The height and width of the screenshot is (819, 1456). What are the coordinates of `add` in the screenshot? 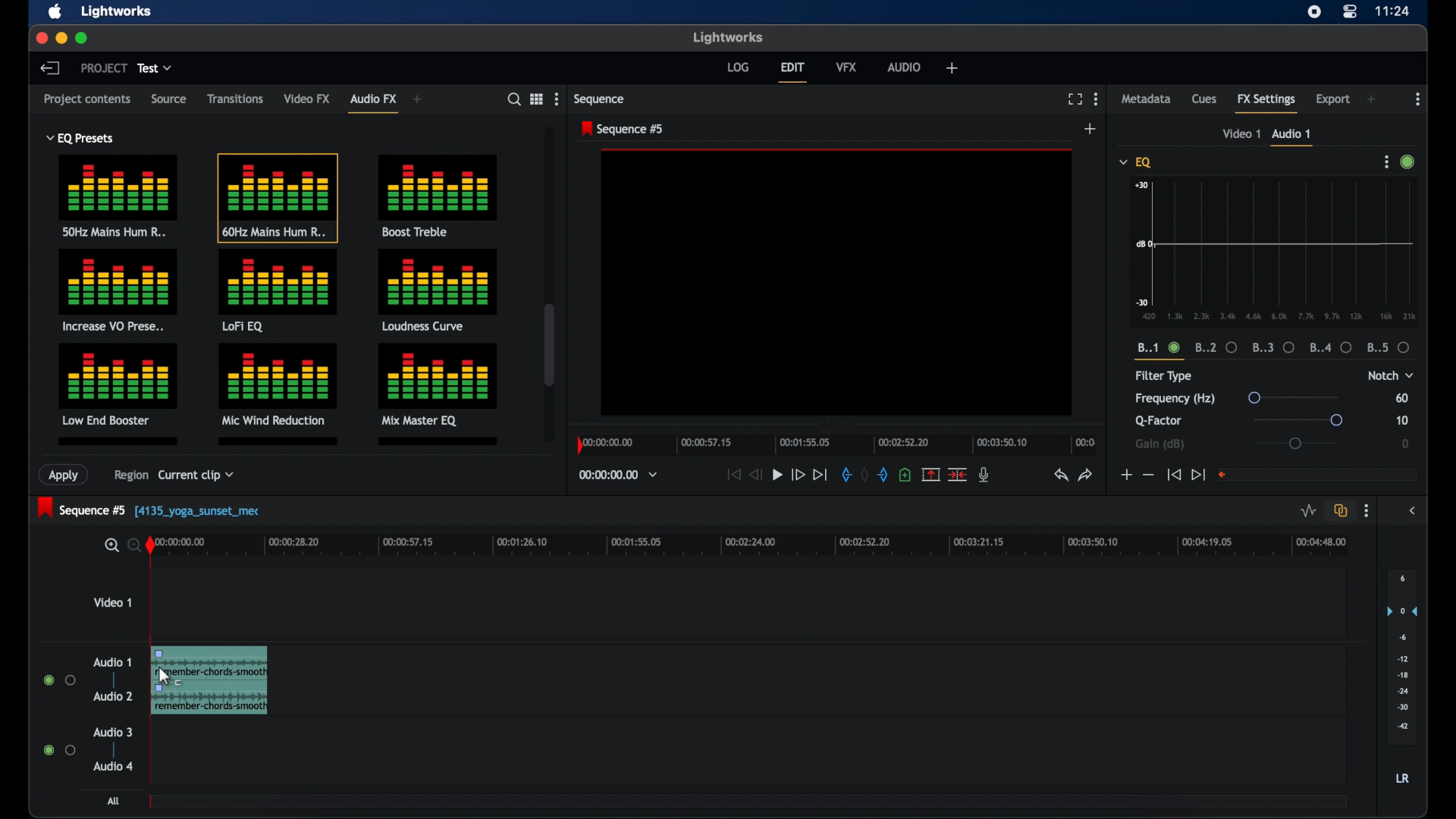 It's located at (1371, 99).